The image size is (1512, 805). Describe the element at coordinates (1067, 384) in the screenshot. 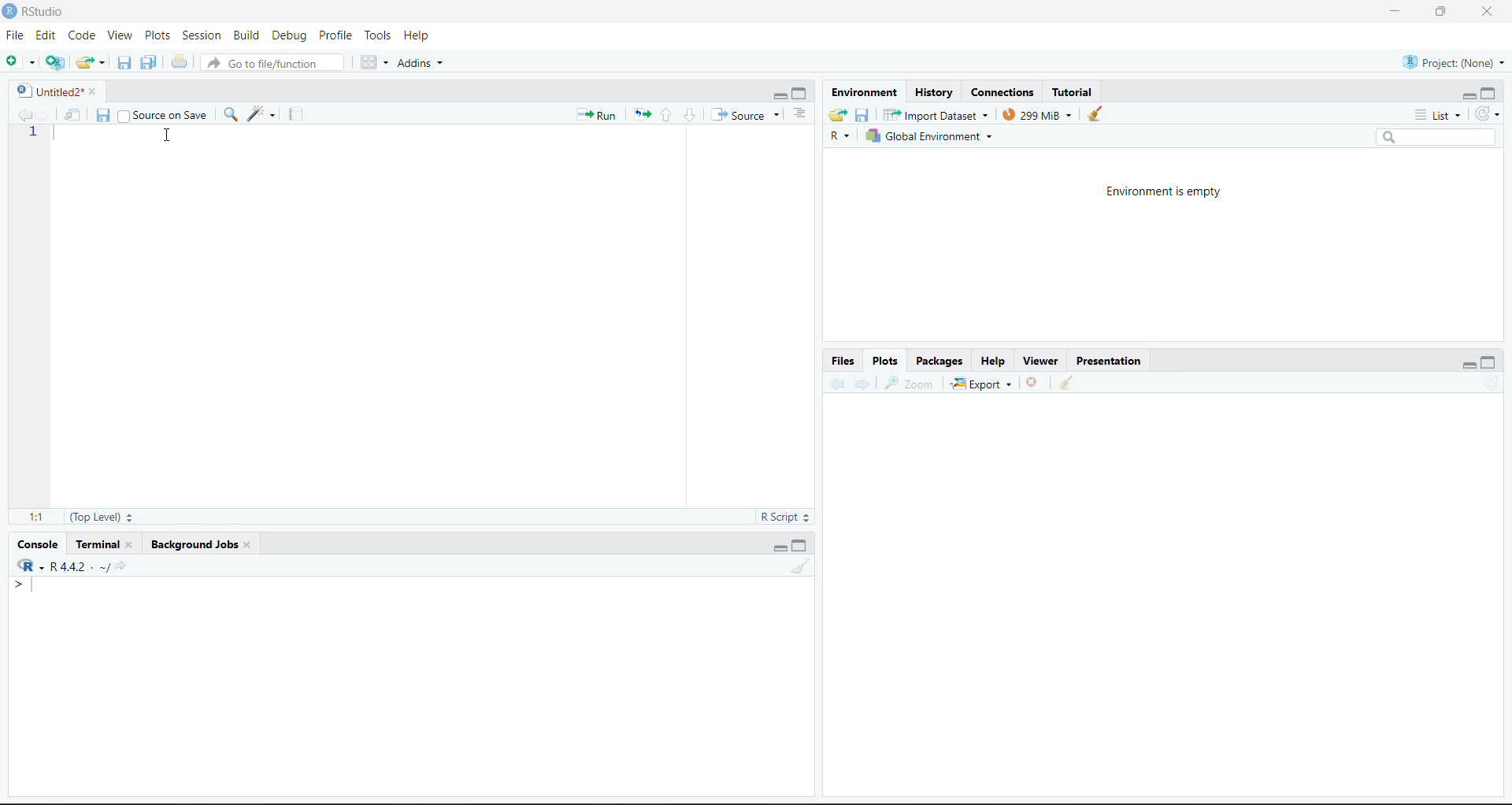

I see `clear all plots` at that location.